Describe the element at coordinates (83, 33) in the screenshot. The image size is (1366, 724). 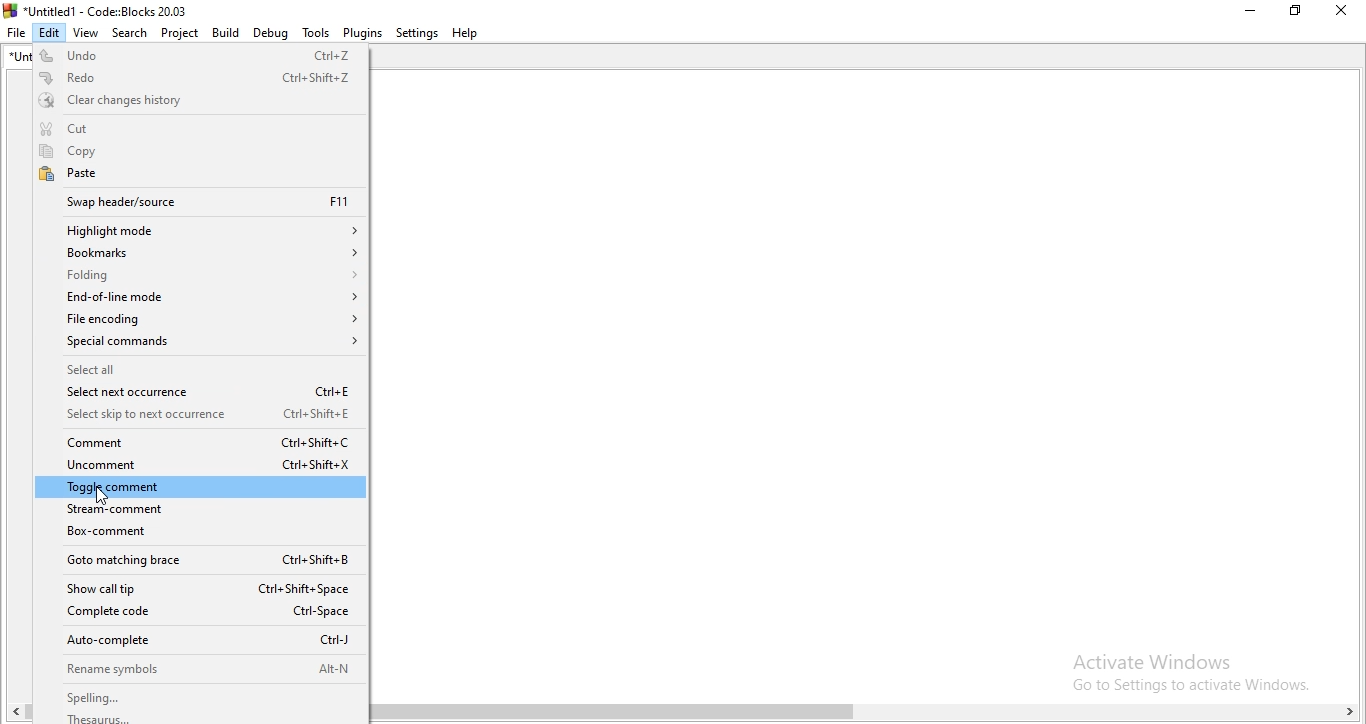
I see `View ` at that location.